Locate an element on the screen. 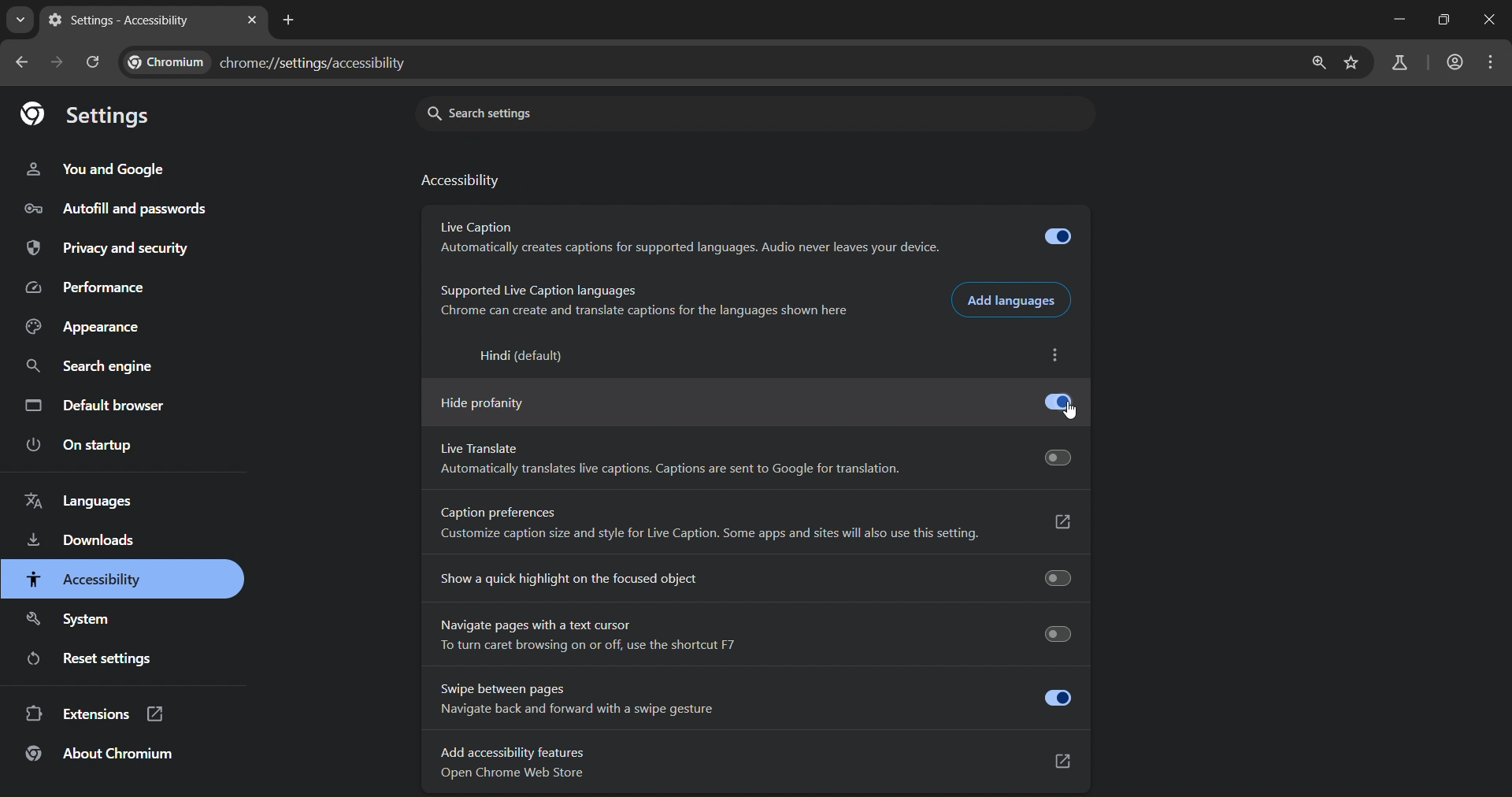 The height and width of the screenshot is (797, 1512). go forward one page is located at coordinates (56, 62).